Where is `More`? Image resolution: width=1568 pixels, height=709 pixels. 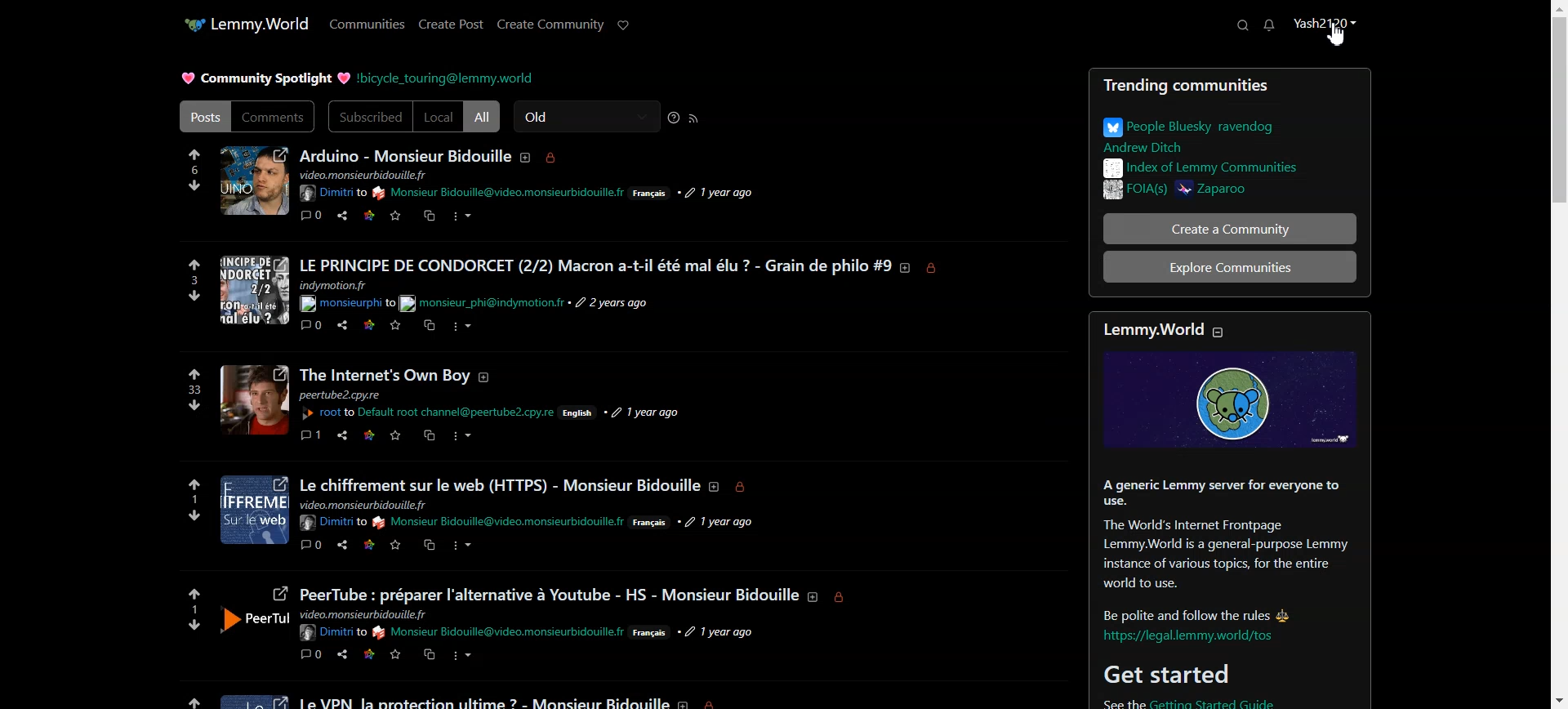
More is located at coordinates (461, 217).